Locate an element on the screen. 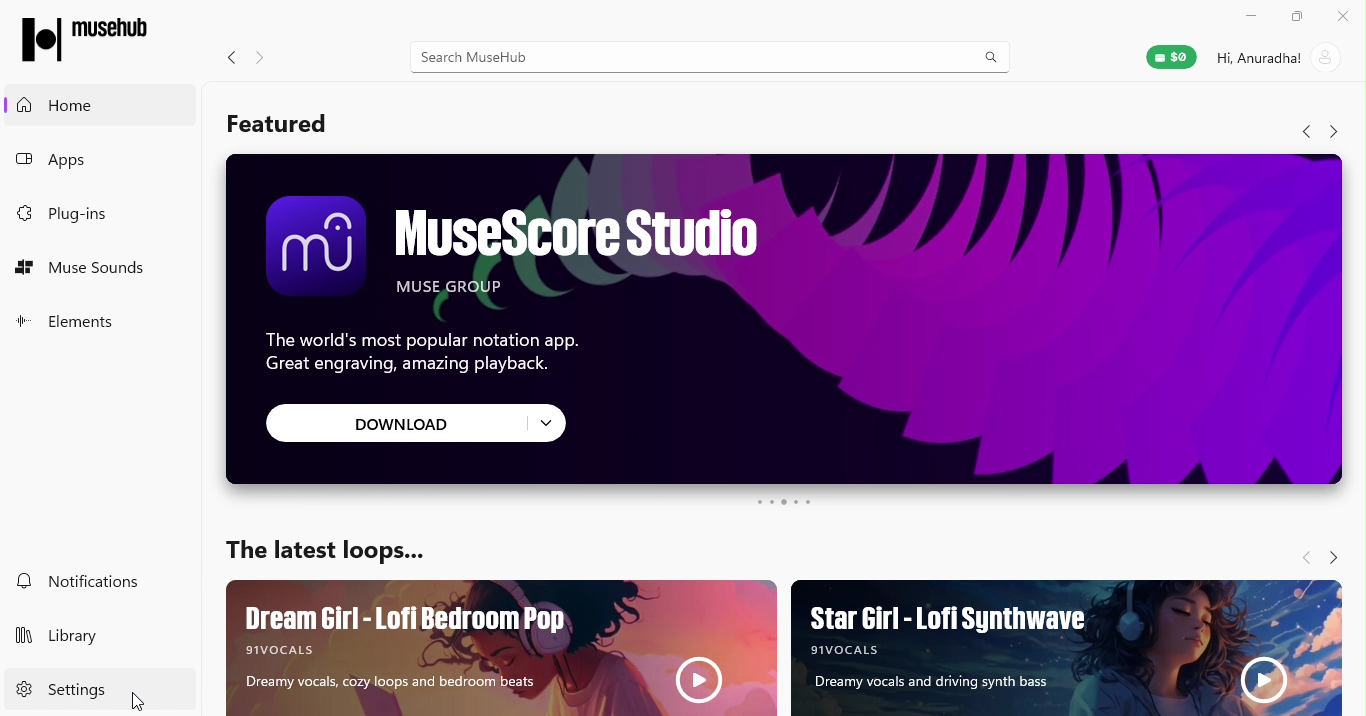  download is located at coordinates (422, 424).